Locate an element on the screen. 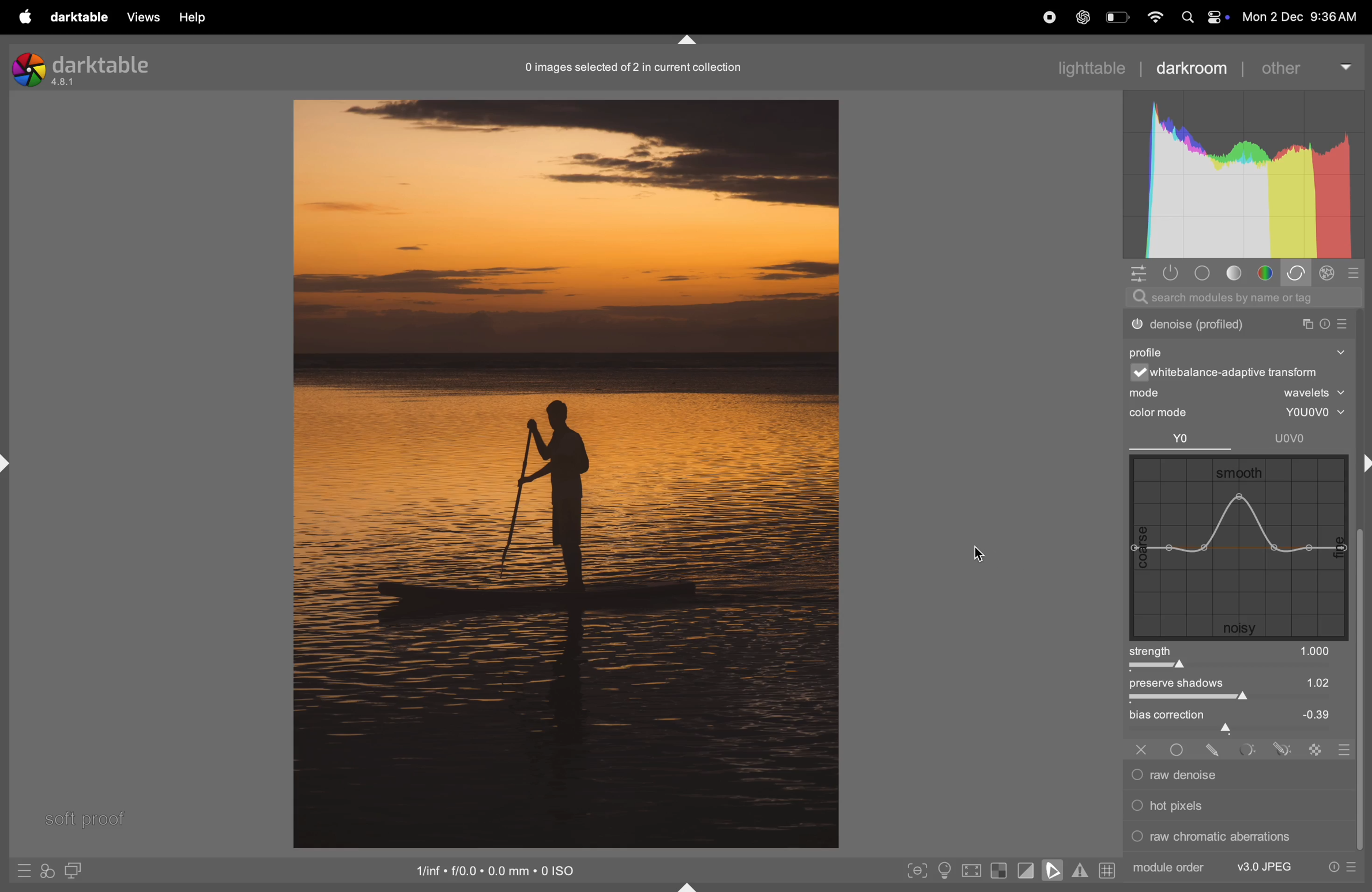 This screenshot has width=1372, height=892. preserve shadows is located at coordinates (1185, 685).